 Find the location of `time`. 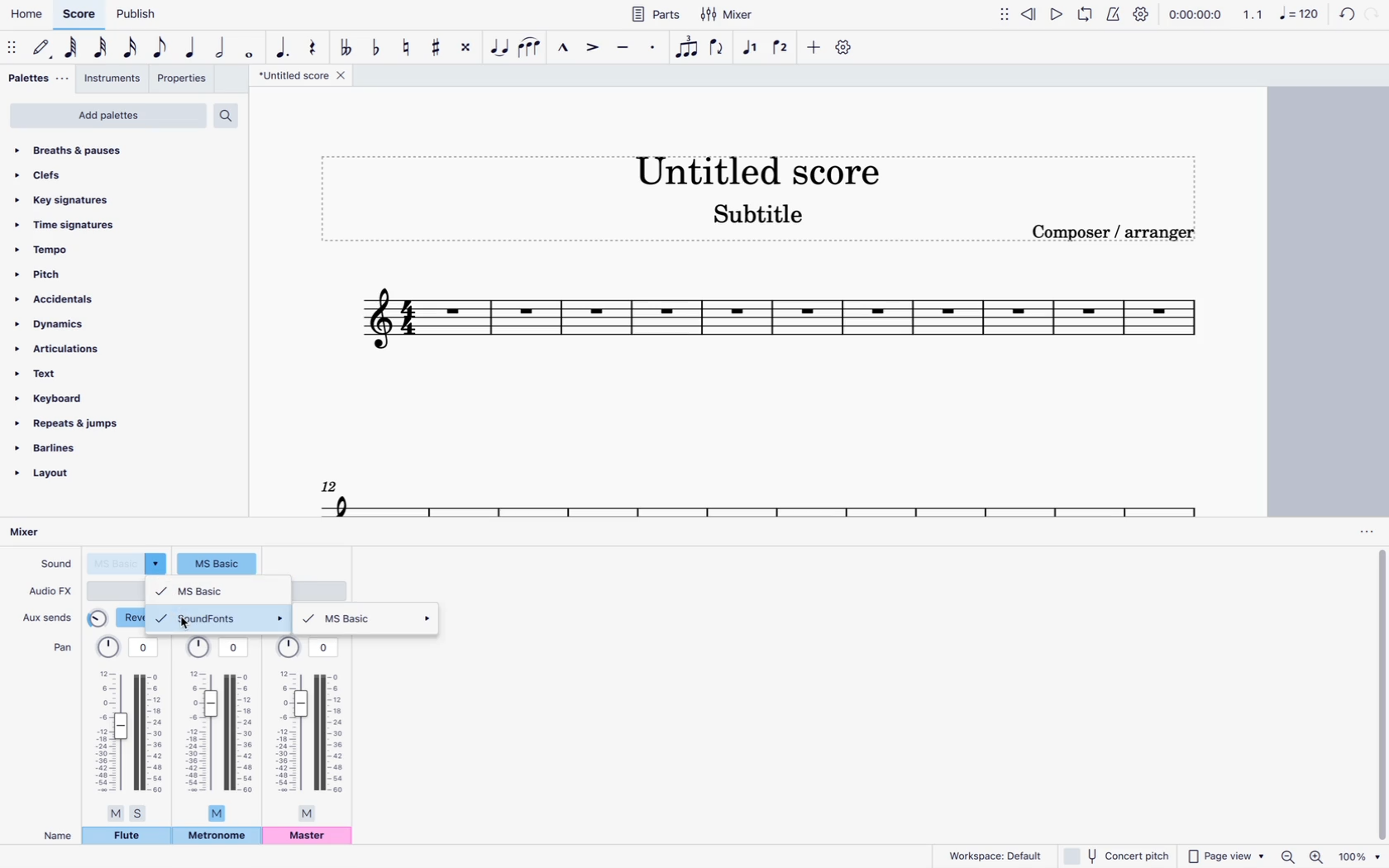

time is located at coordinates (1195, 13).